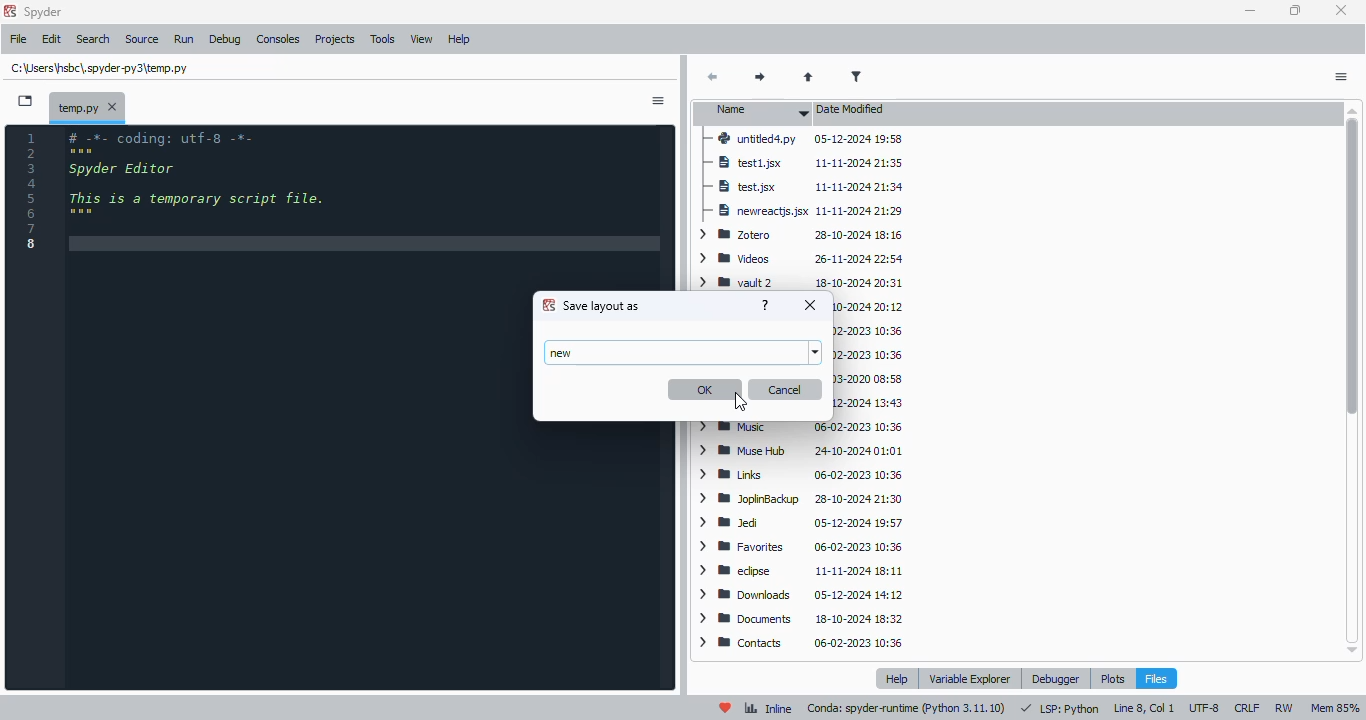 The height and width of the screenshot is (720, 1366). Describe the element at coordinates (20, 40) in the screenshot. I see `file` at that location.